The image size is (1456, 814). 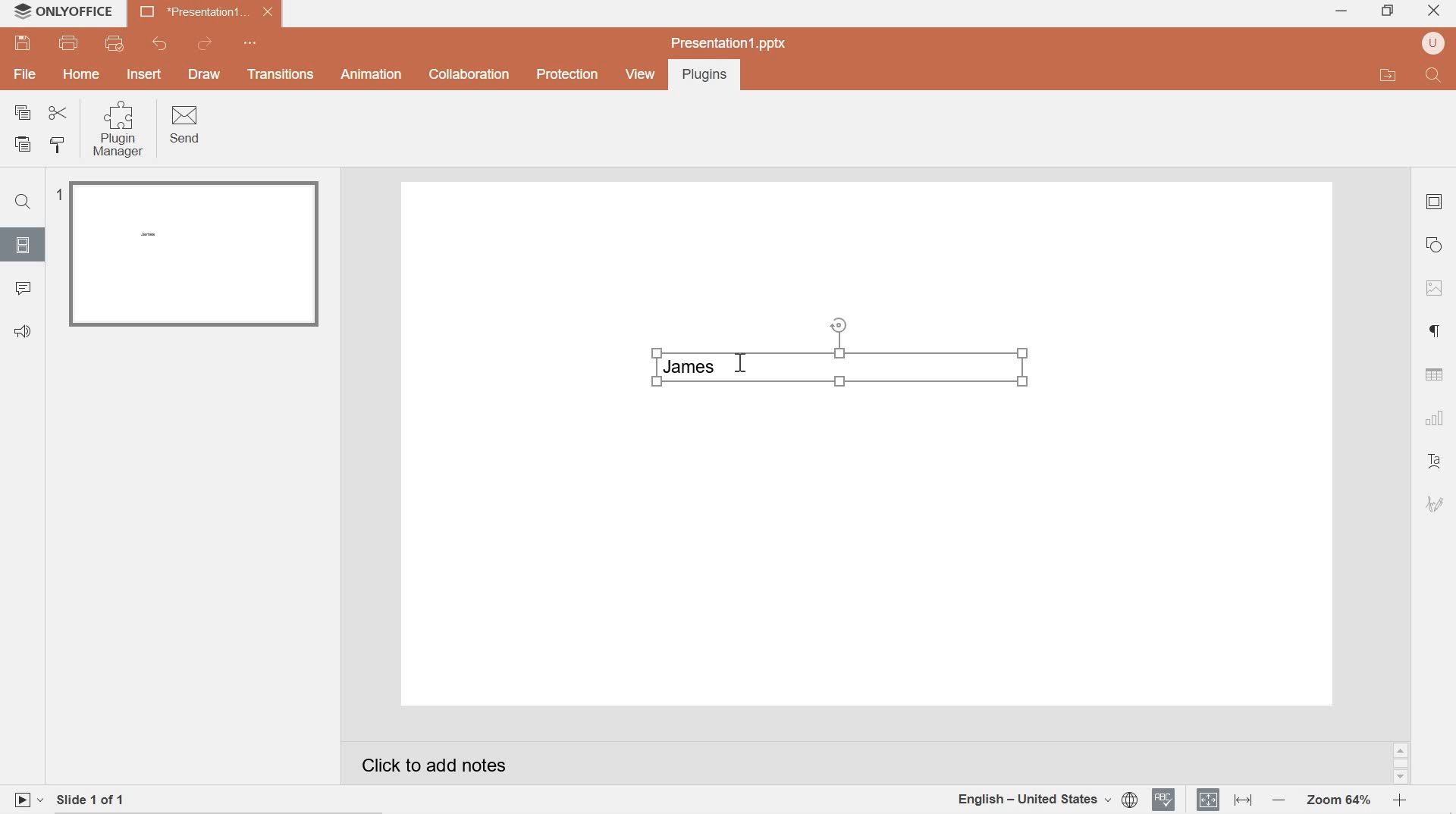 I want to click on spell checker, so click(x=1165, y=800).